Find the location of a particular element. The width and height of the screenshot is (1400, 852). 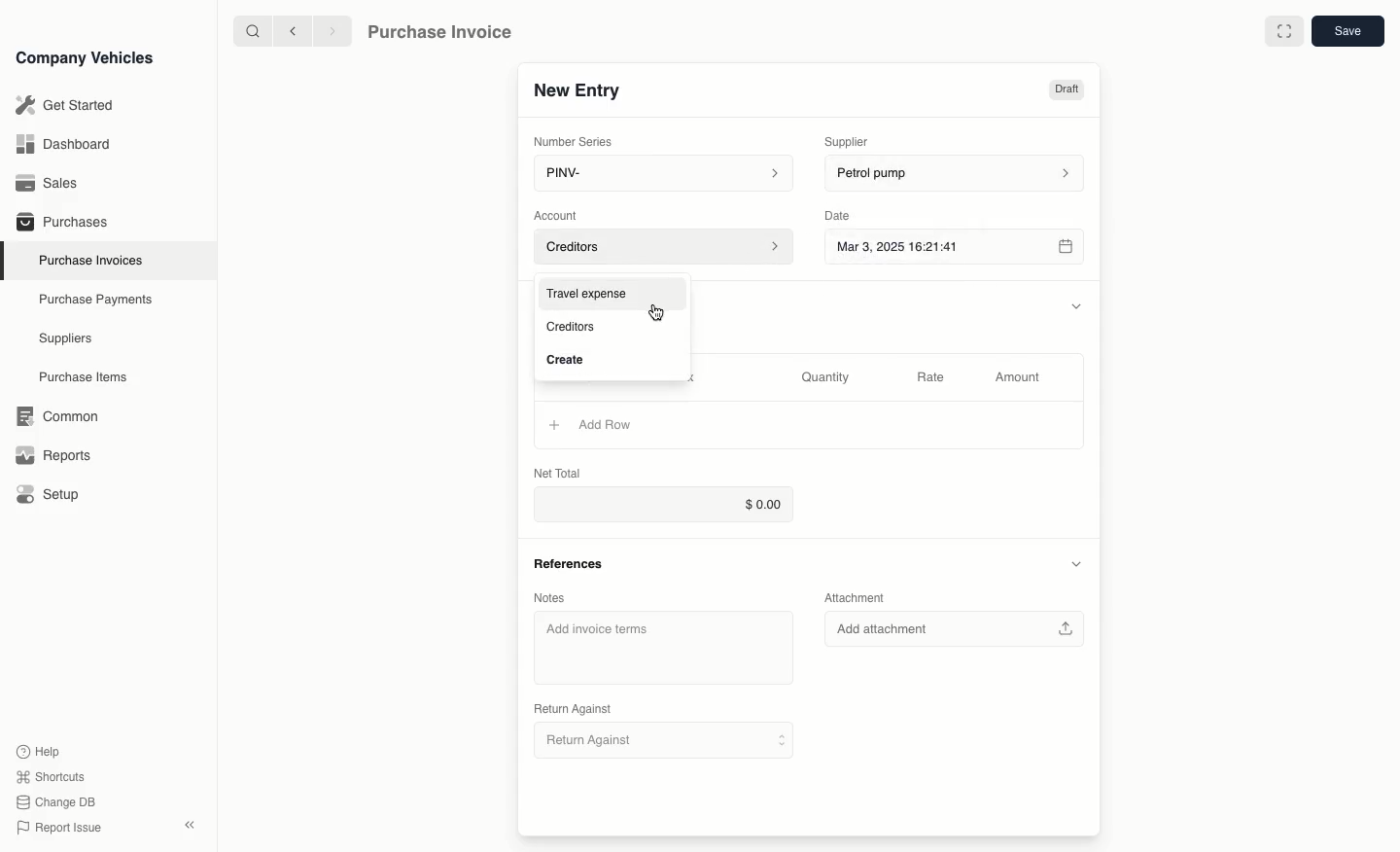

Rate is located at coordinates (932, 377).